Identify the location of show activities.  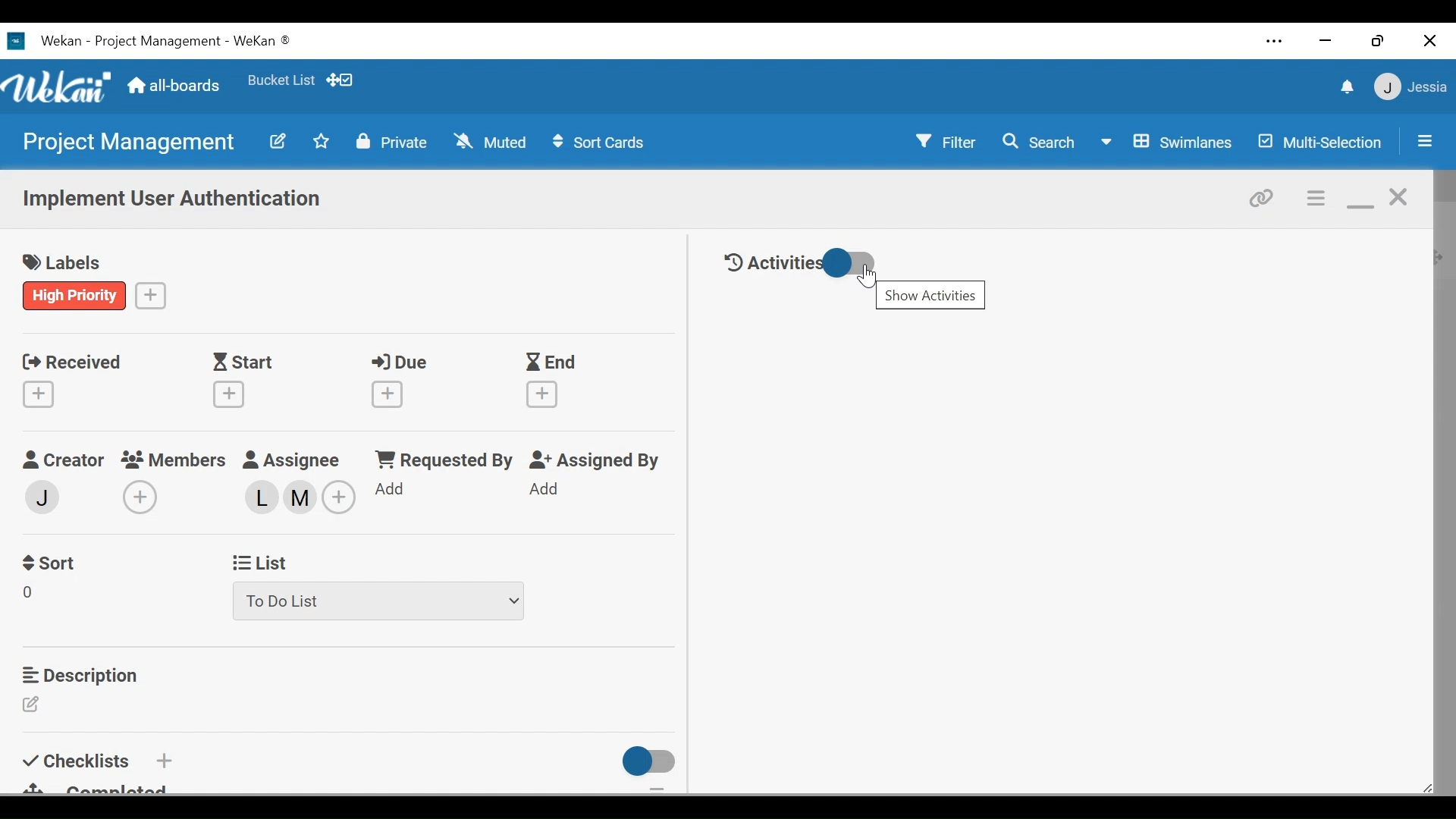
(933, 299).